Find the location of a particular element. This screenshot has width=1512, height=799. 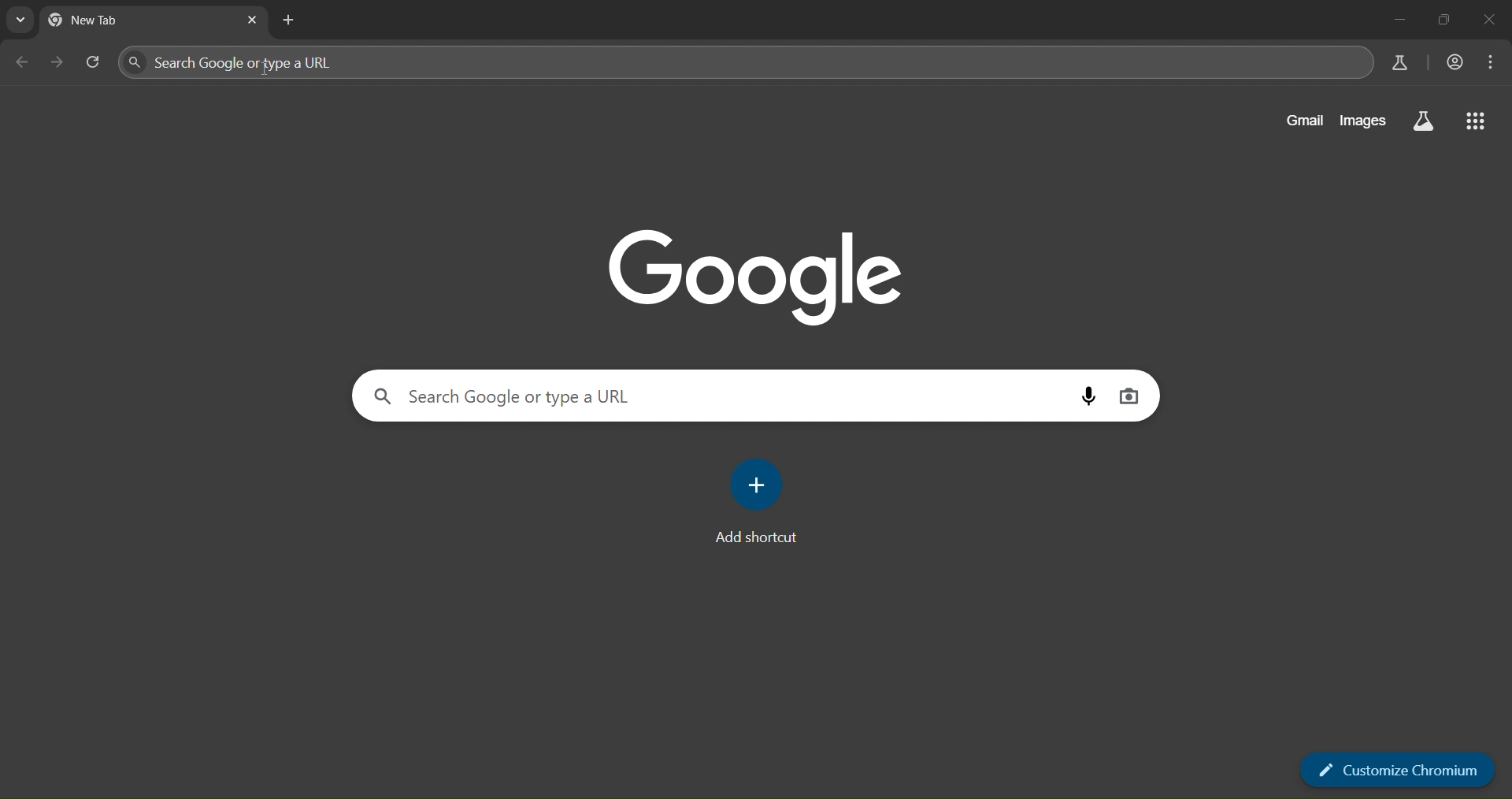

search panel is located at coordinates (501, 396).